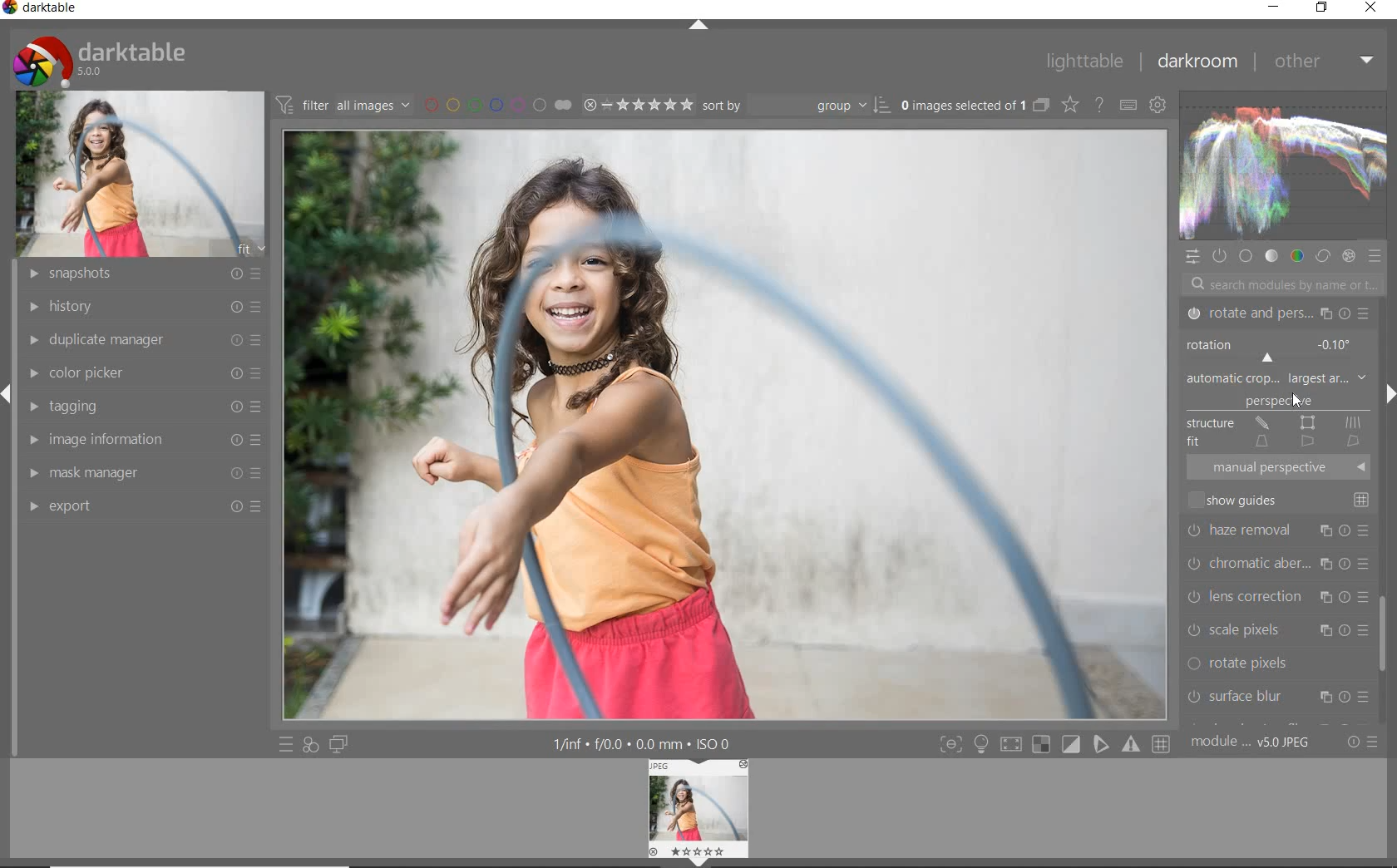  I want to click on AUTOMATICALLY CROP TO AVOID BLACK EDGES, so click(1285, 406).